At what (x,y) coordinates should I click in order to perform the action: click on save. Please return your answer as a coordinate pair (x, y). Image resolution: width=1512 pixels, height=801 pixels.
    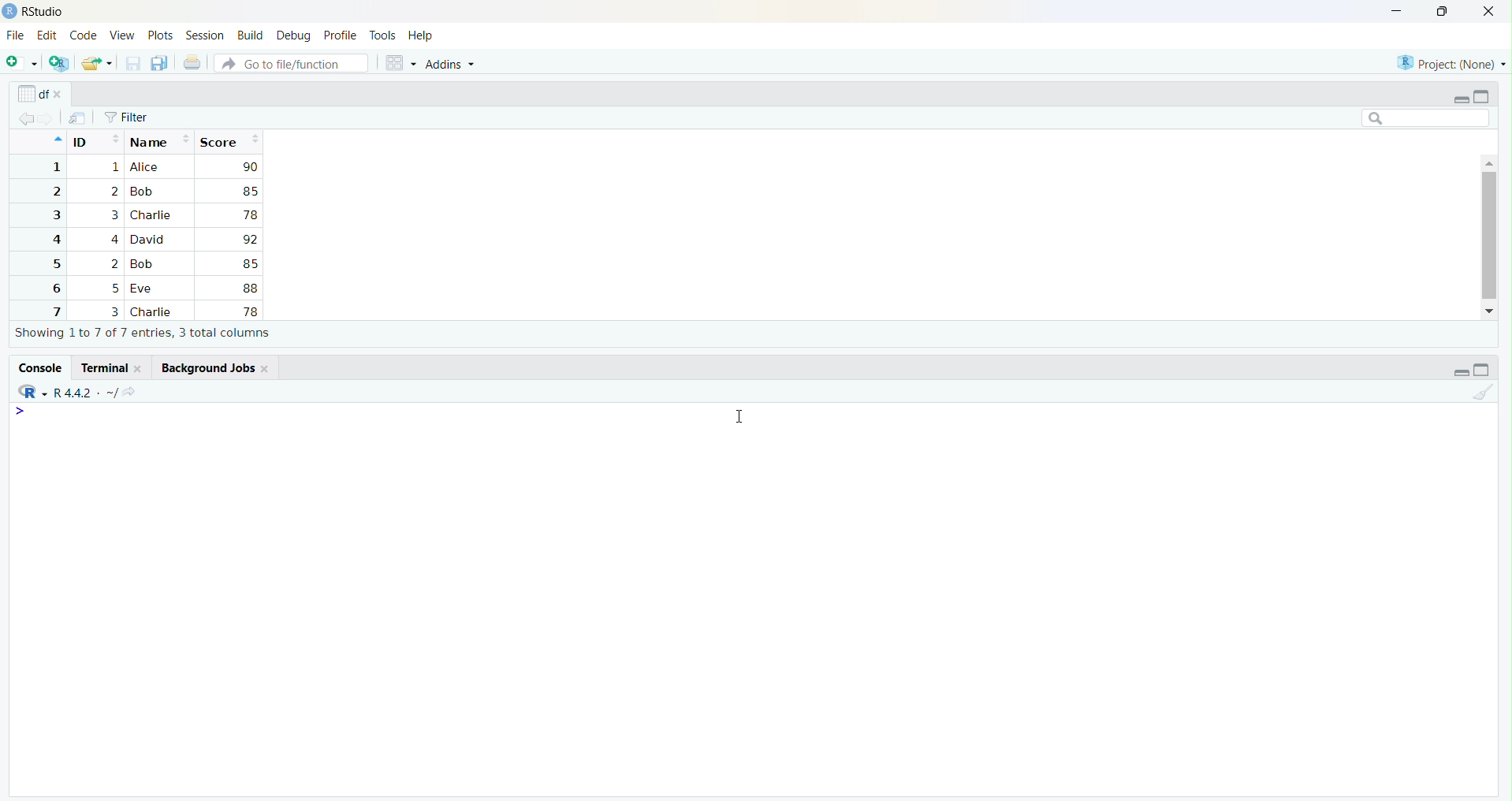
    Looking at the image, I should click on (132, 64).